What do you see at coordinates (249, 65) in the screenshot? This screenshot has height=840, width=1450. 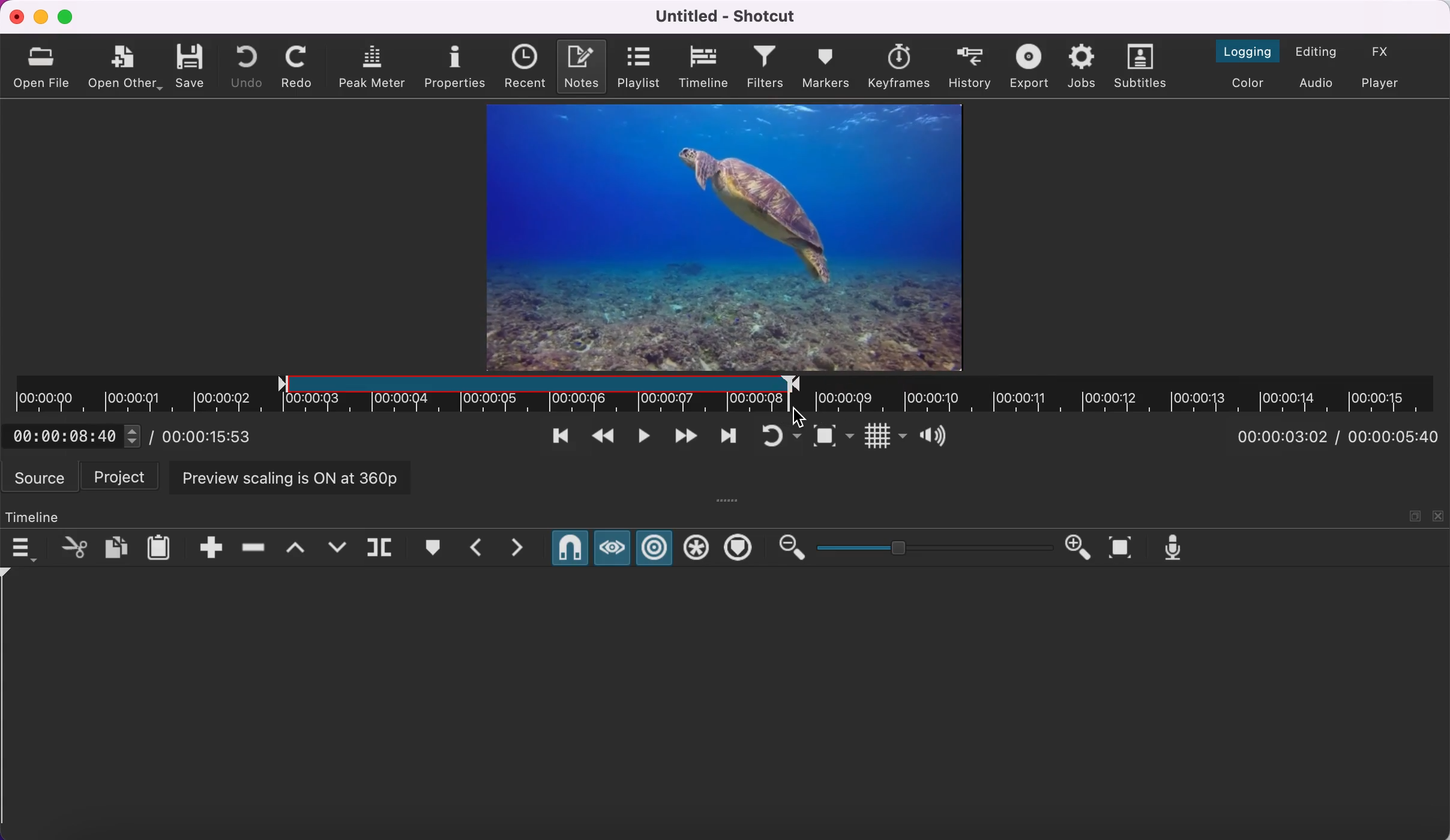 I see `undo` at bounding box center [249, 65].